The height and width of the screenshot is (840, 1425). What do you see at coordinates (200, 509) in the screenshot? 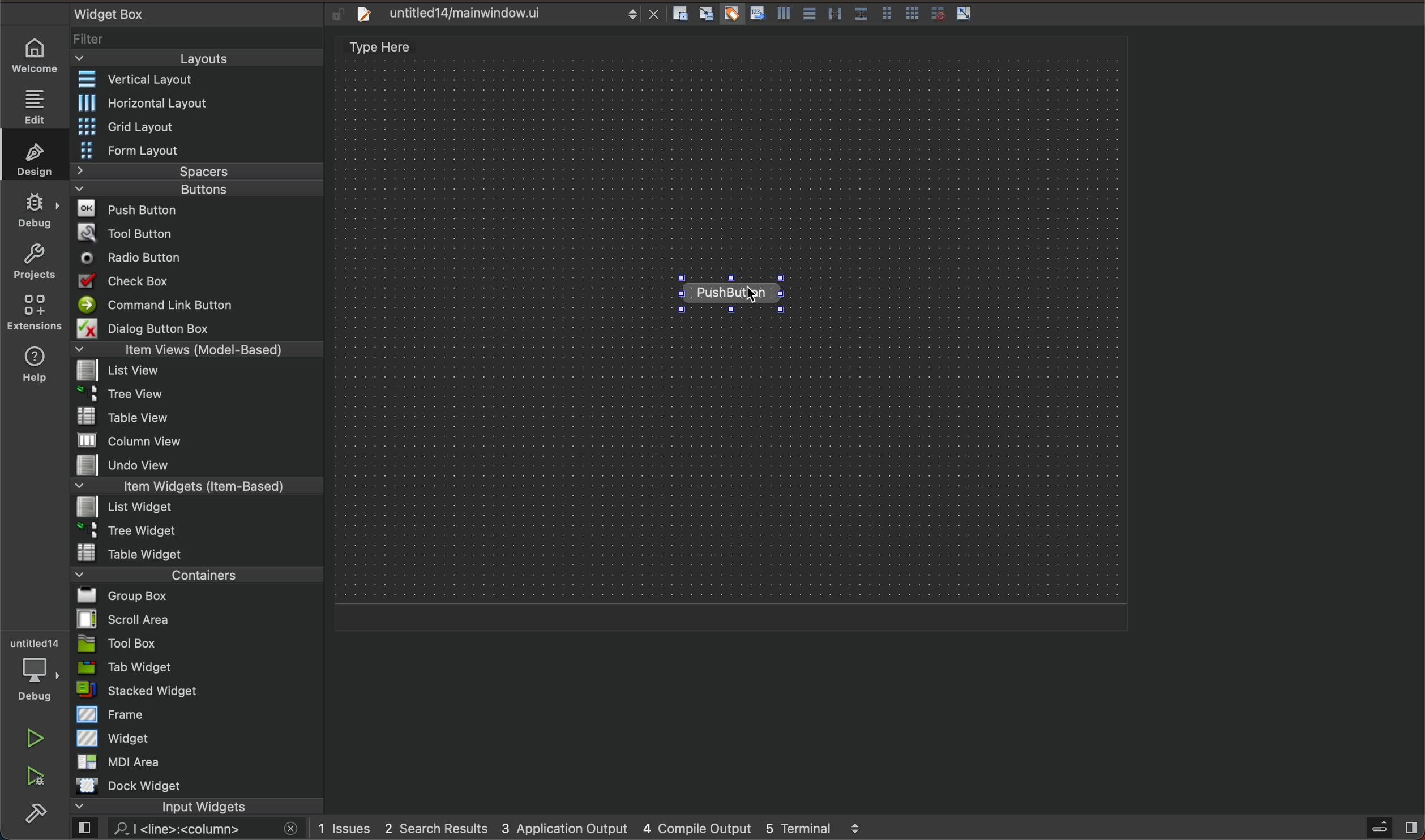
I see `list widget` at bounding box center [200, 509].